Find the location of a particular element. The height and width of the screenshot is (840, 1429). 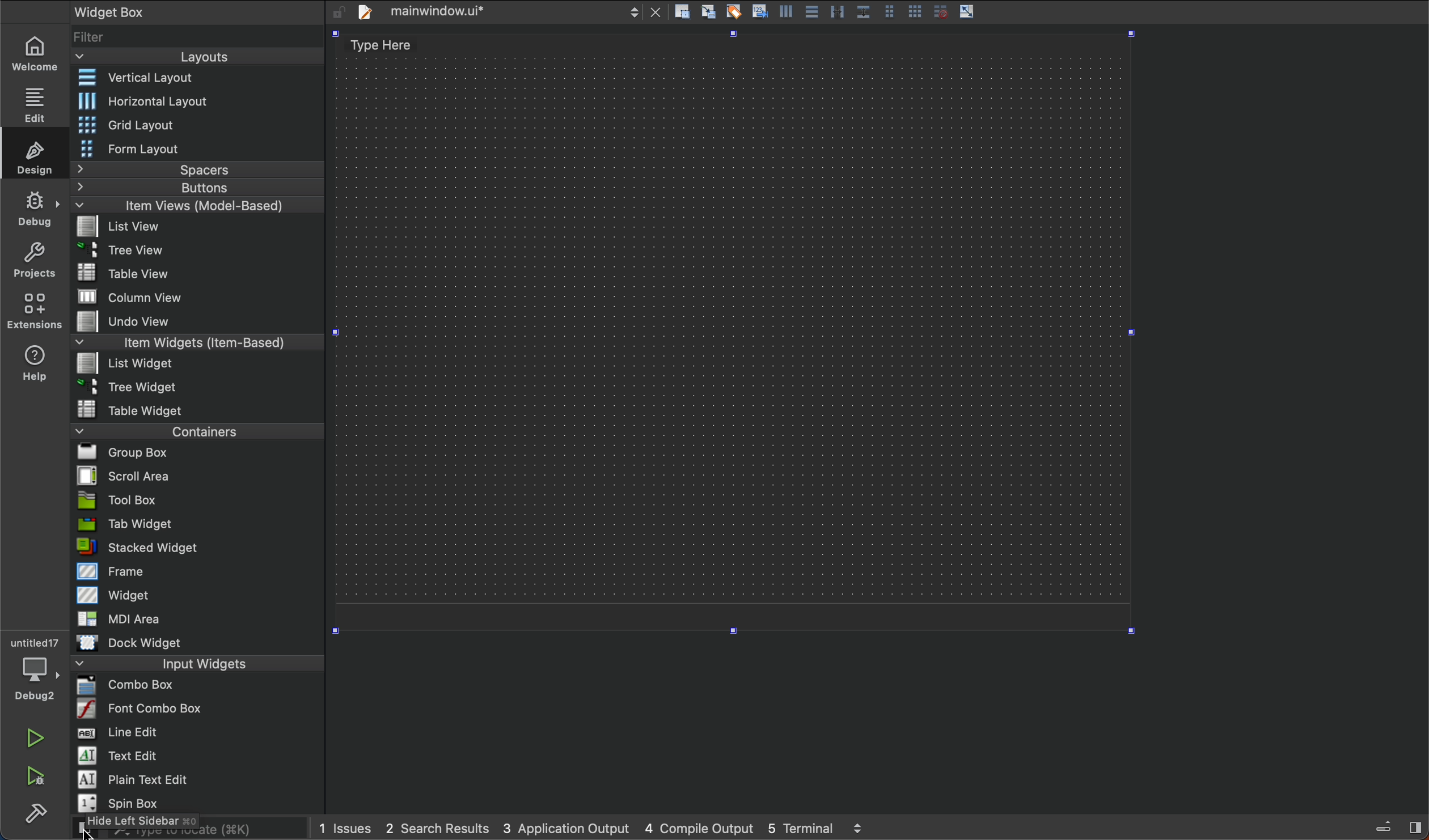

Grid Layout is located at coordinates (133, 125).